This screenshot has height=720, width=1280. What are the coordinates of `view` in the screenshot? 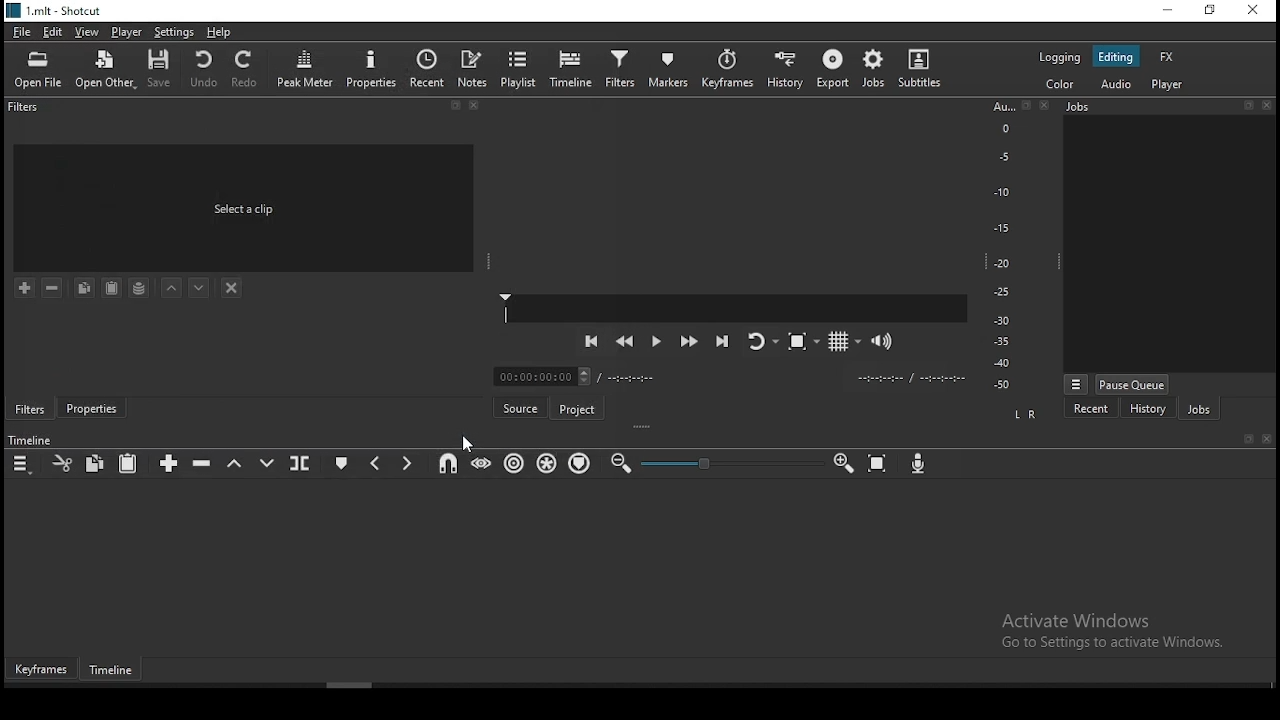 It's located at (89, 33).